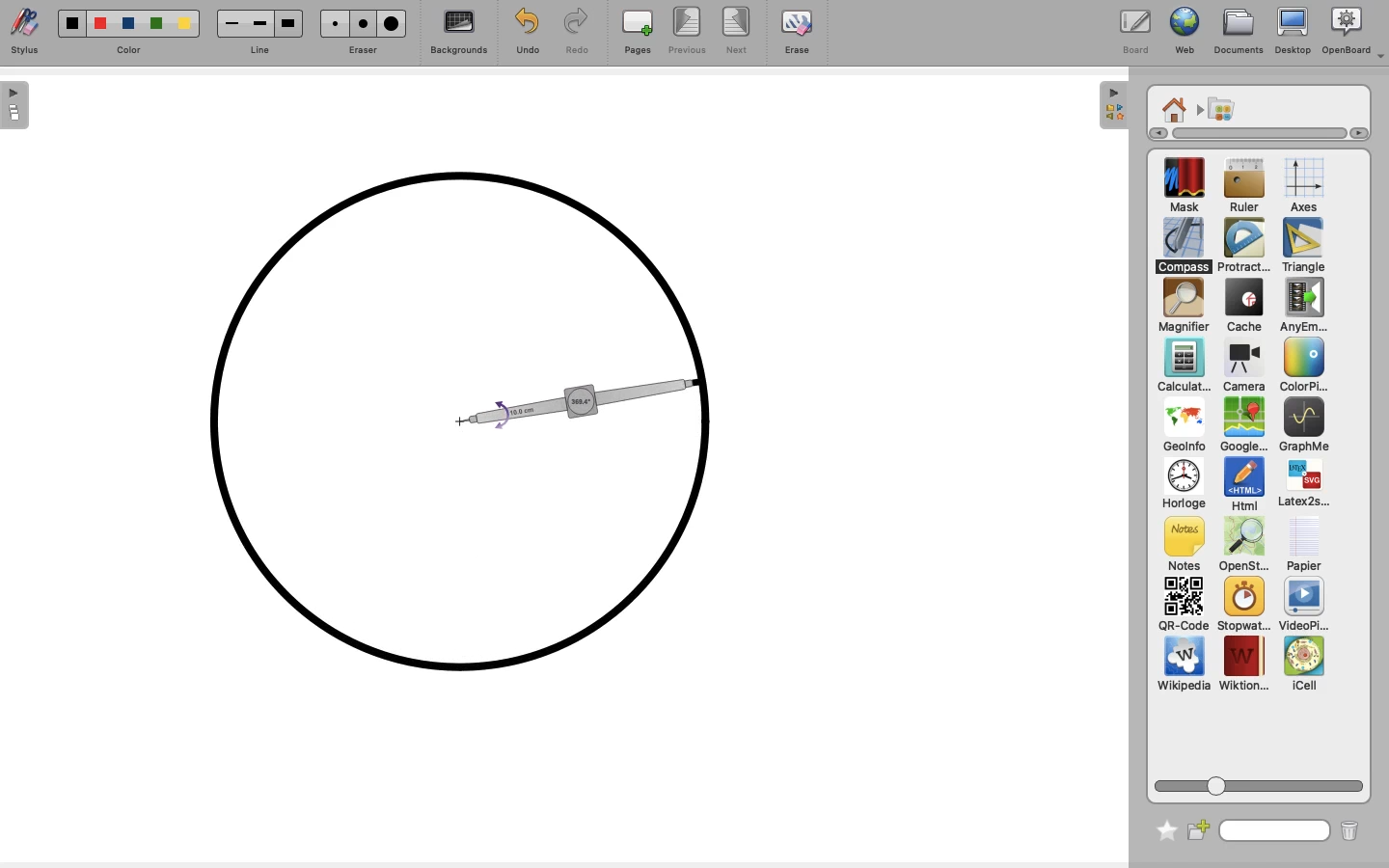 The height and width of the screenshot is (868, 1389). What do you see at coordinates (16, 105) in the screenshot?
I see `show sidebar` at bounding box center [16, 105].